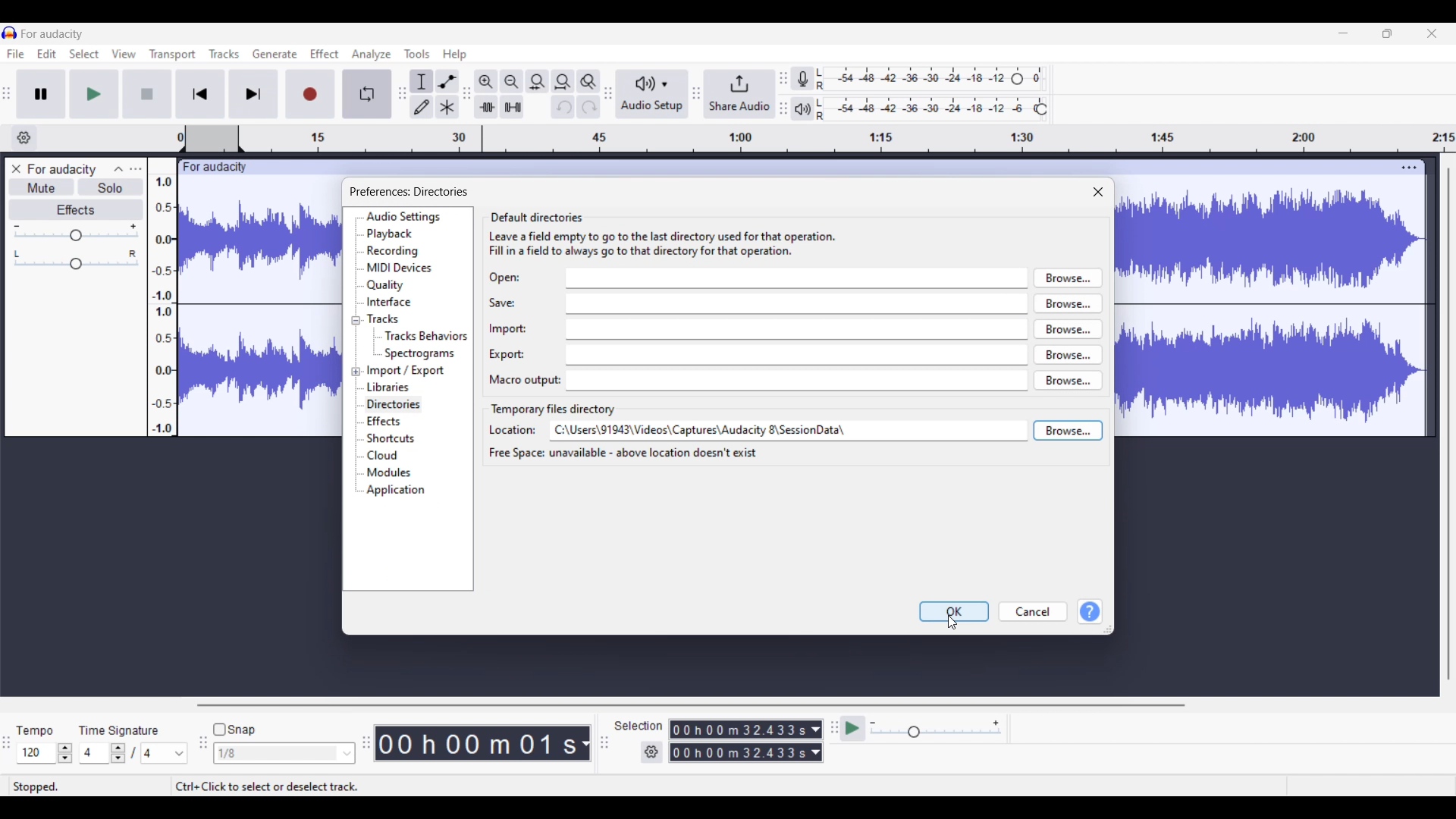 Image resolution: width=1456 pixels, height=819 pixels. Describe the element at coordinates (1410, 168) in the screenshot. I see `Track settings ` at that location.